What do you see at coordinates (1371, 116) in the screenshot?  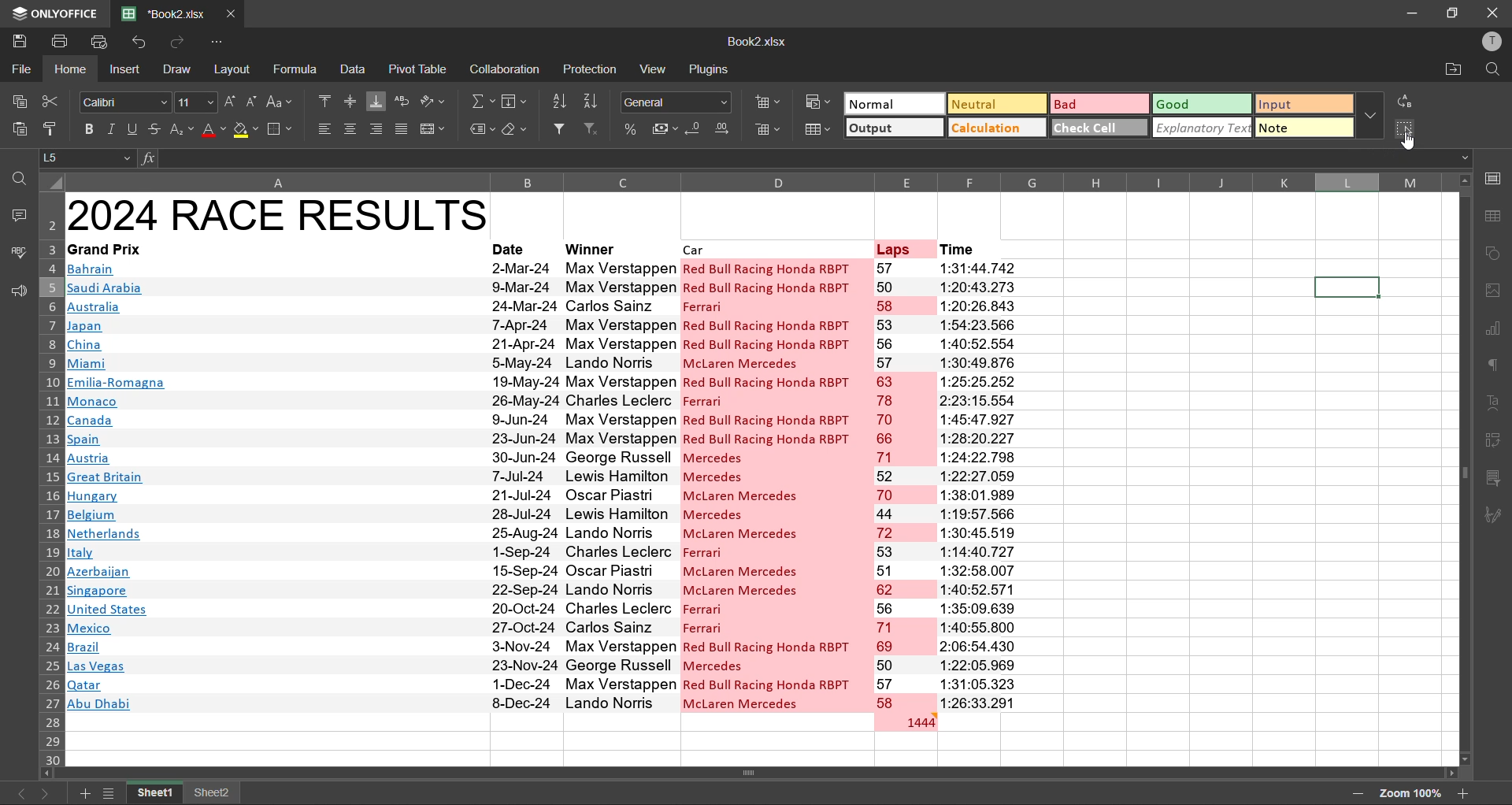 I see `more options` at bounding box center [1371, 116].